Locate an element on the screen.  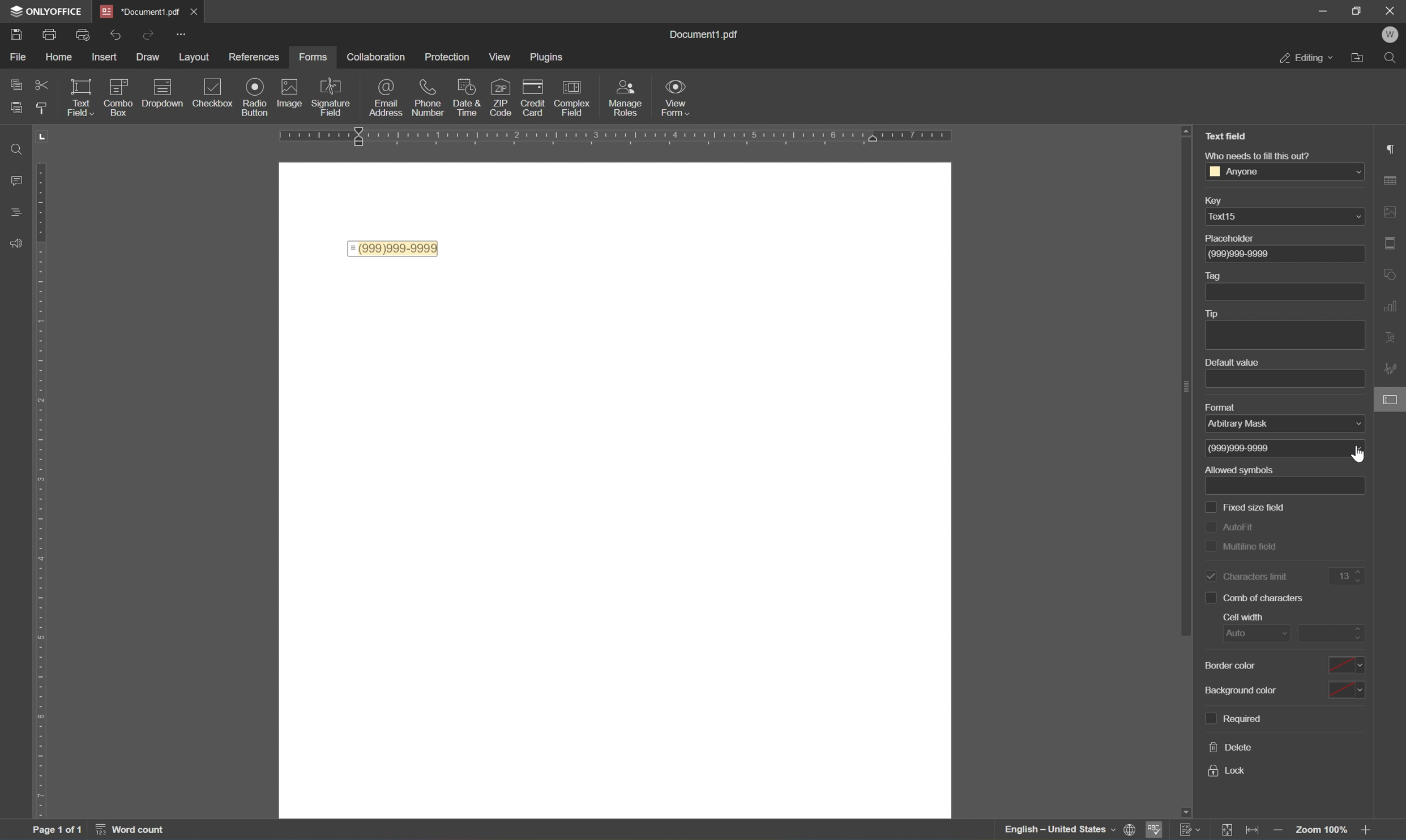
find is located at coordinates (1394, 59).